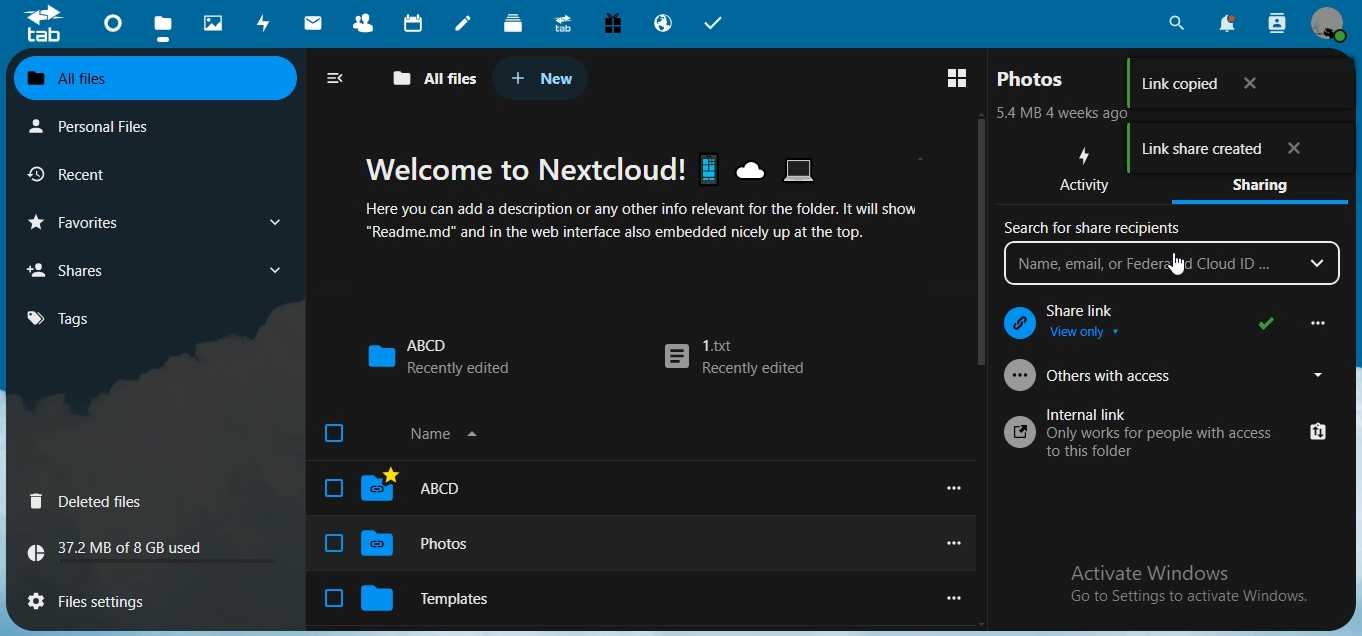 The width and height of the screenshot is (1362, 636). I want to click on check box, so click(331, 543).